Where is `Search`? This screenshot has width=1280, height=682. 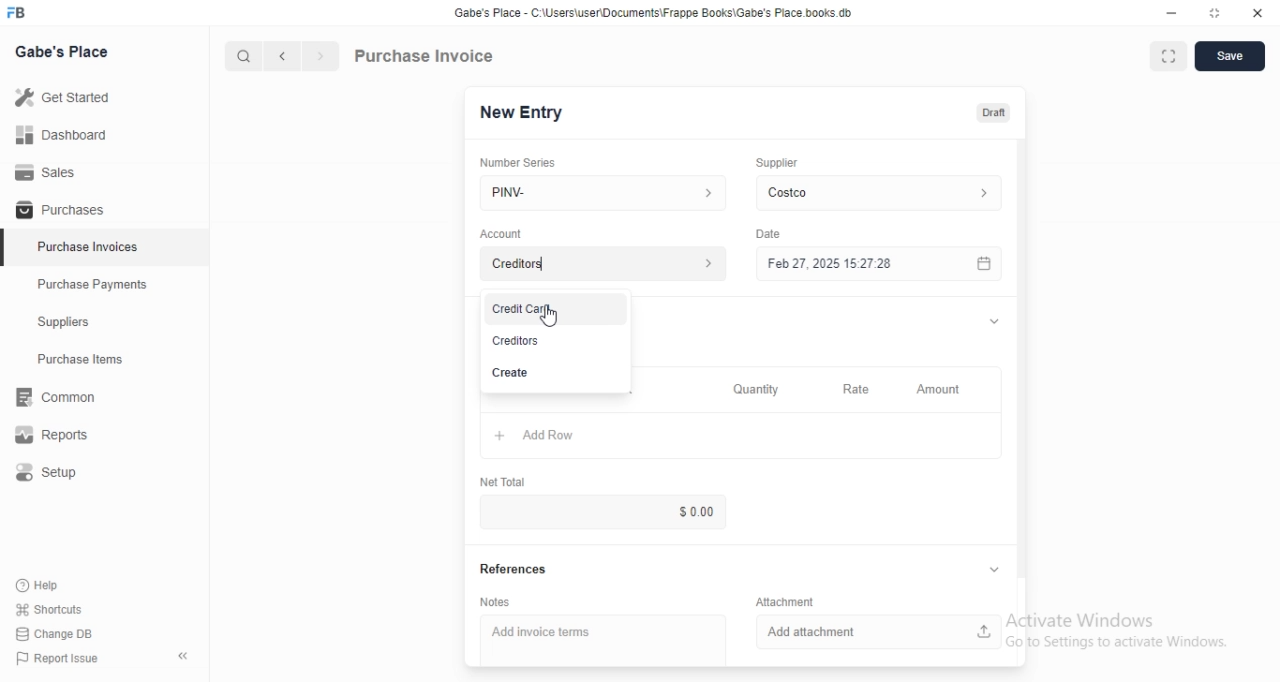
Search is located at coordinates (243, 56).